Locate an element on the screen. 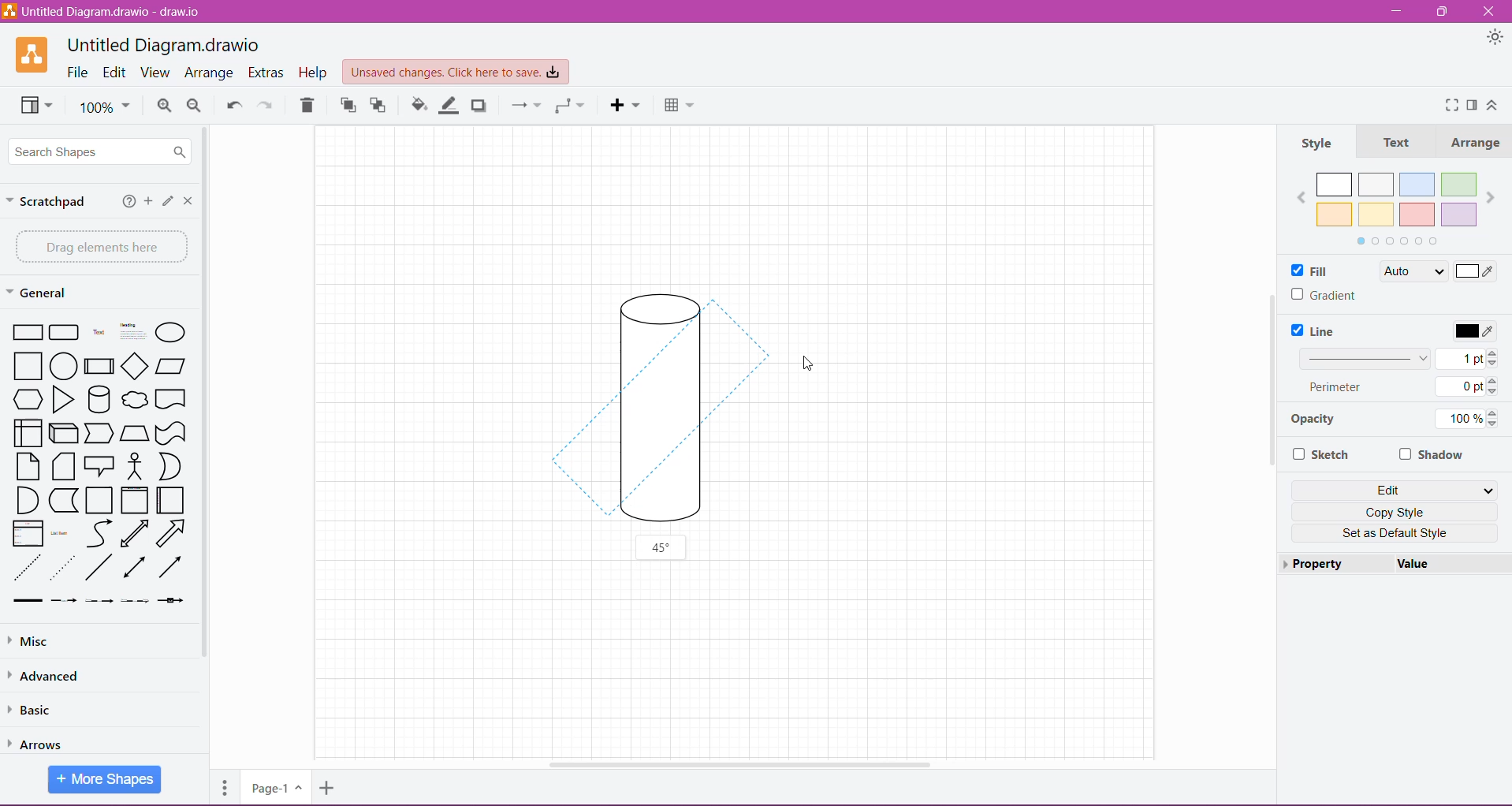 The image size is (1512, 806). Sketch is located at coordinates (1324, 455).